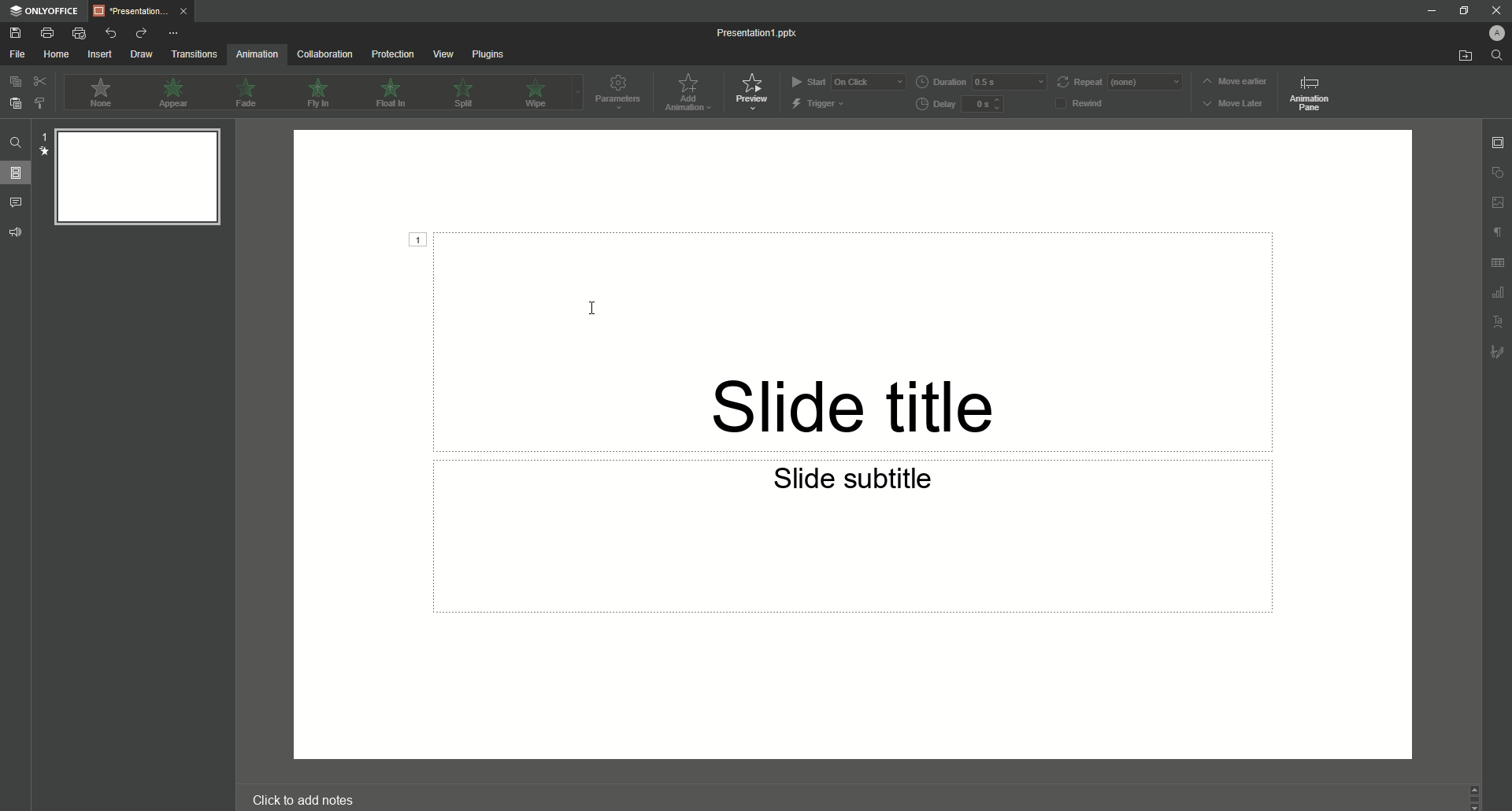 The image size is (1512, 811). I want to click on Find, so click(1497, 54).